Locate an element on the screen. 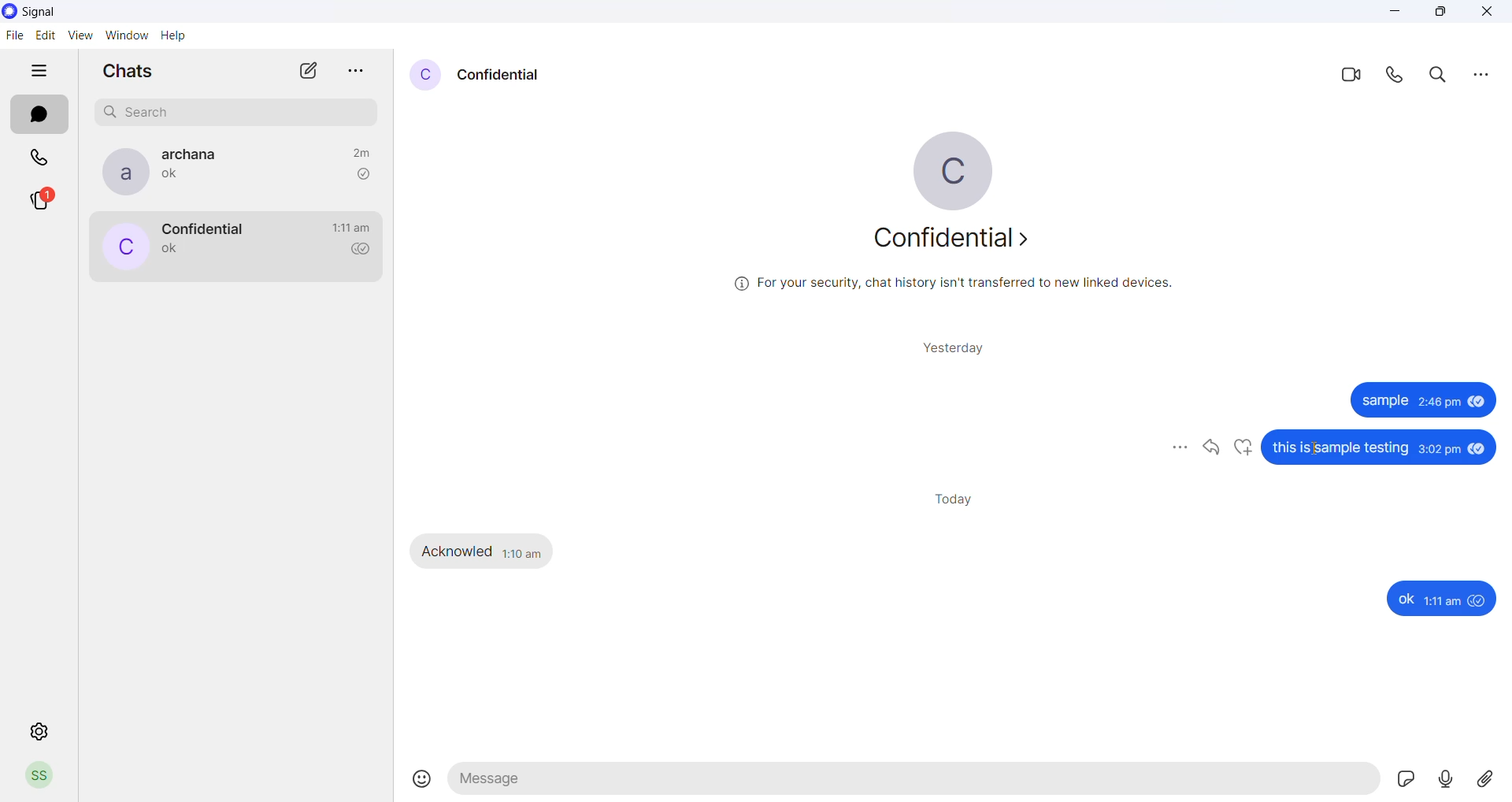 The image size is (1512, 802). seen is located at coordinates (1479, 449).